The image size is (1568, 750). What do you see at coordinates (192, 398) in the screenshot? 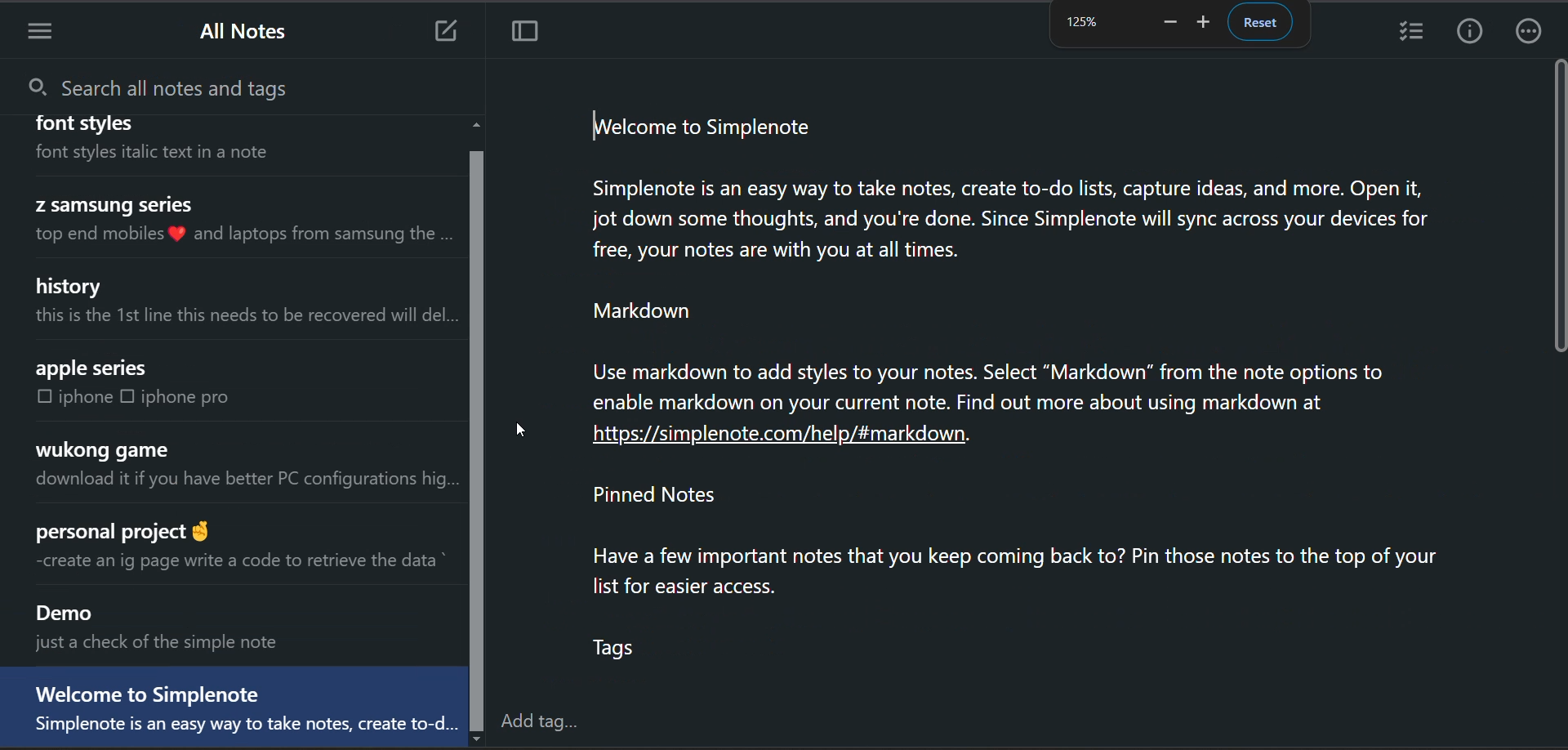
I see `iphone pro` at bounding box center [192, 398].